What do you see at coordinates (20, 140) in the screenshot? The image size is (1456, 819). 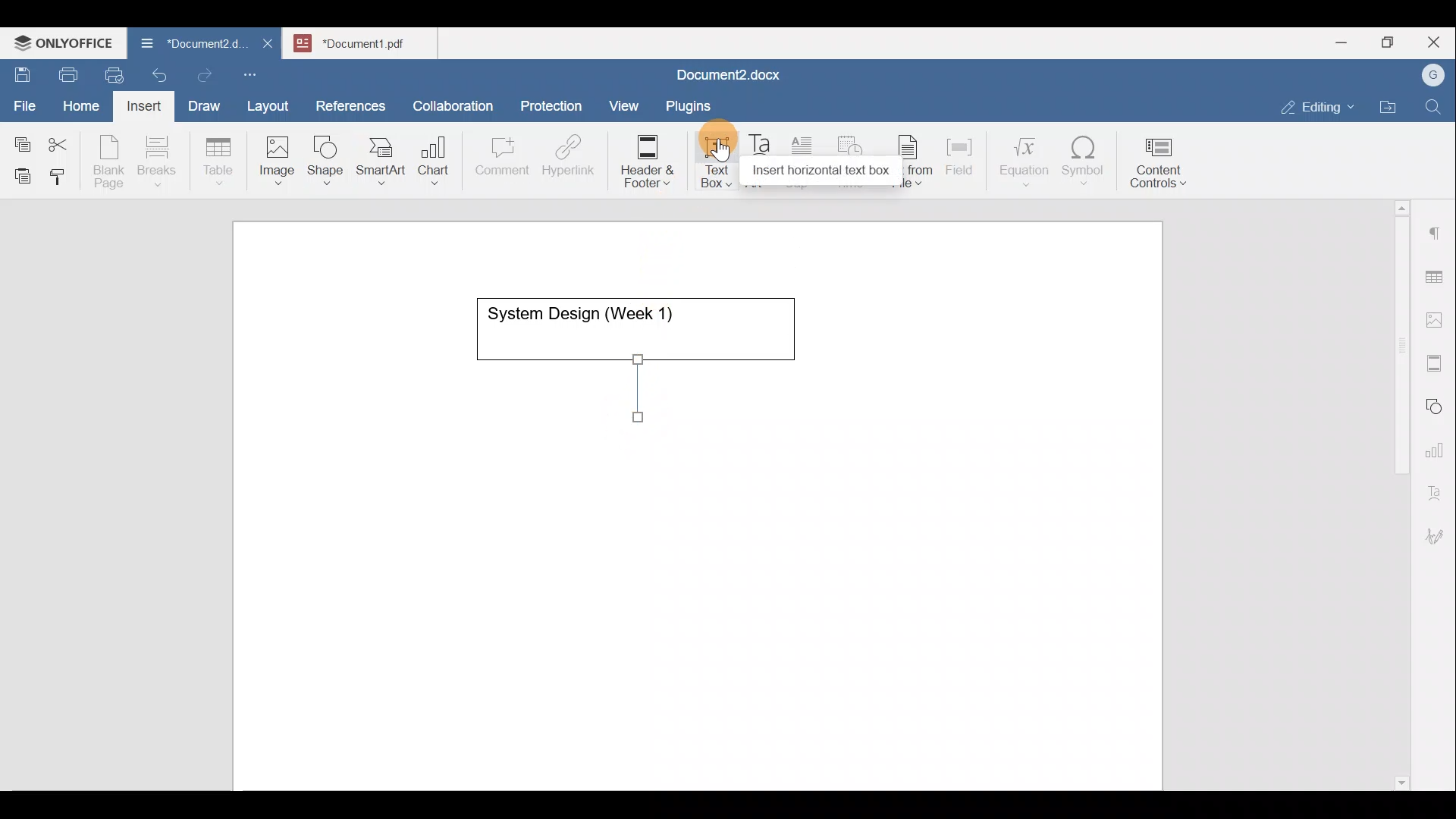 I see `Copy` at bounding box center [20, 140].